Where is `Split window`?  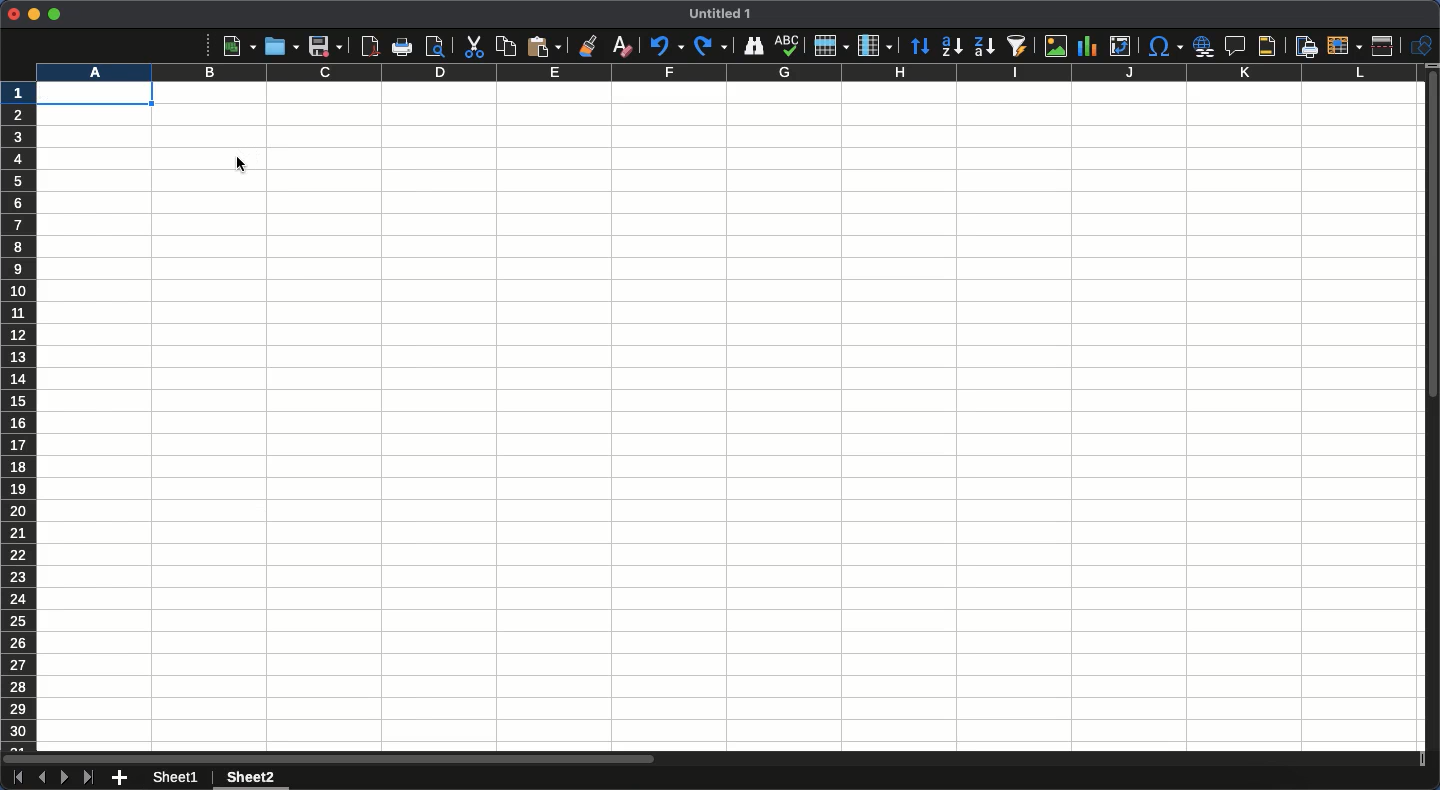
Split window is located at coordinates (1387, 46).